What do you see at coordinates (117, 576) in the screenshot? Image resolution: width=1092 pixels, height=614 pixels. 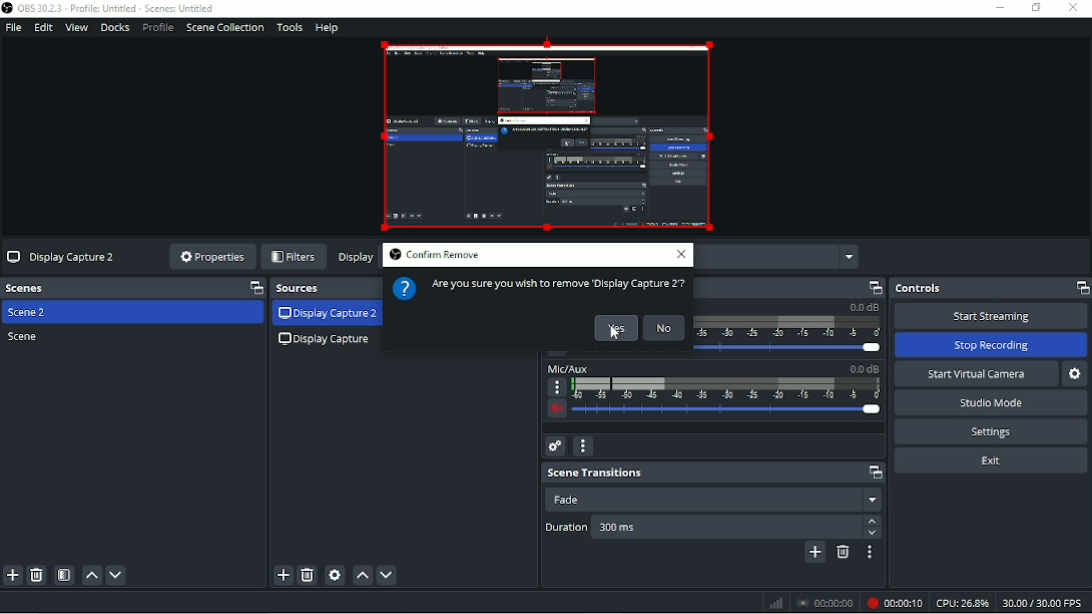 I see `Move scene down` at bounding box center [117, 576].